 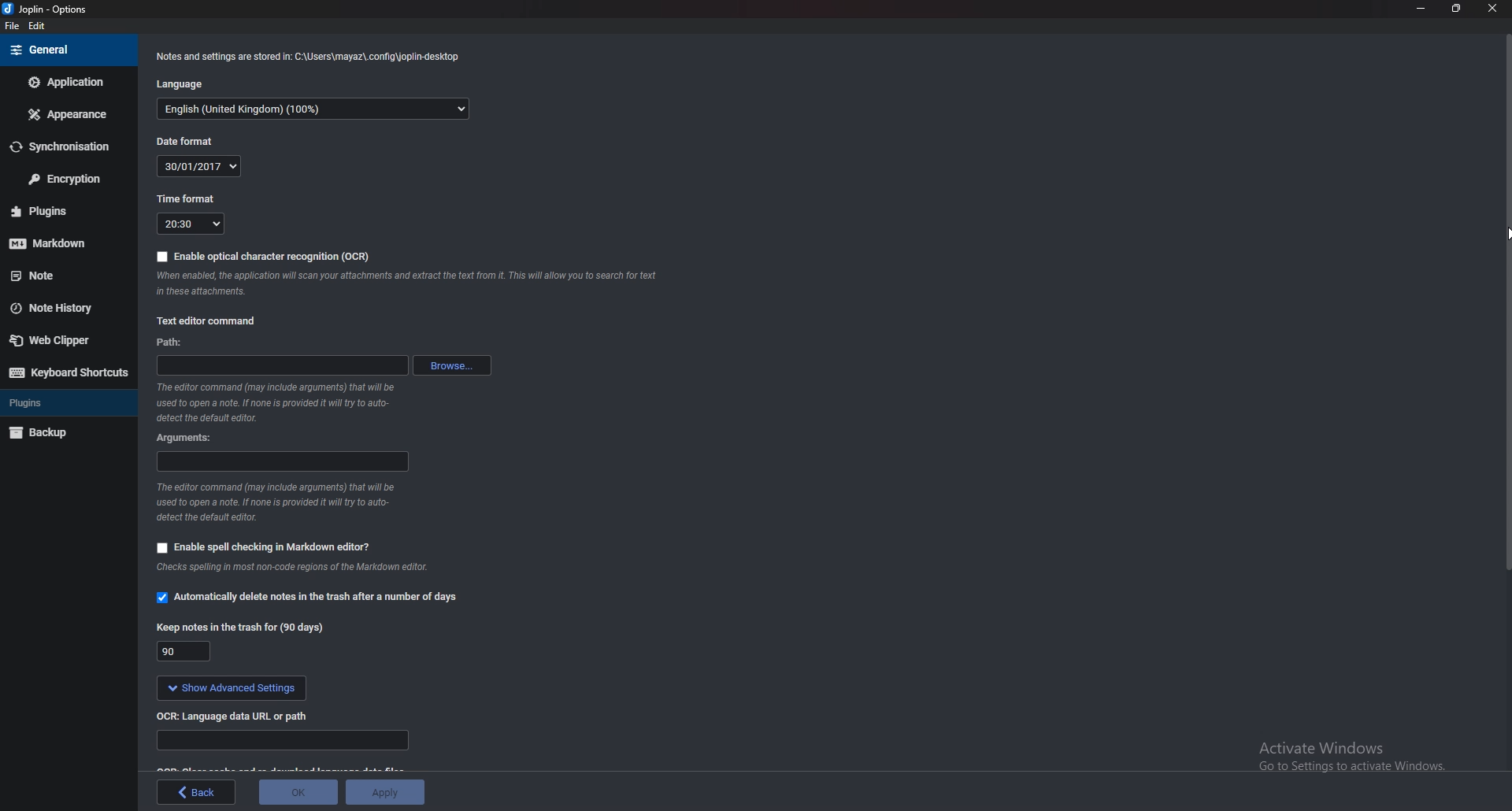 I want to click on Date format, so click(x=190, y=141).